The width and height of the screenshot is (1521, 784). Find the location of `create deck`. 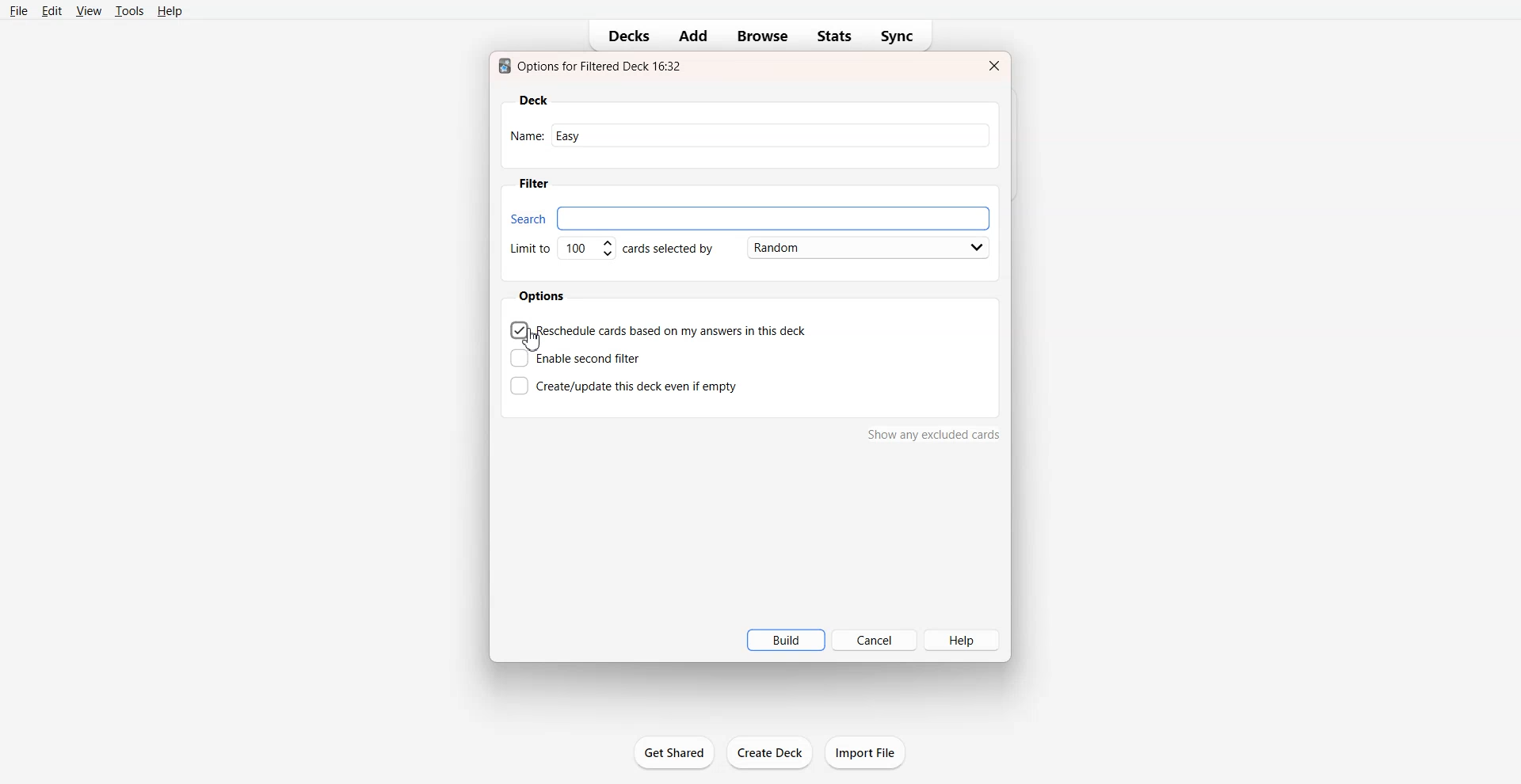

create deck is located at coordinates (774, 753).